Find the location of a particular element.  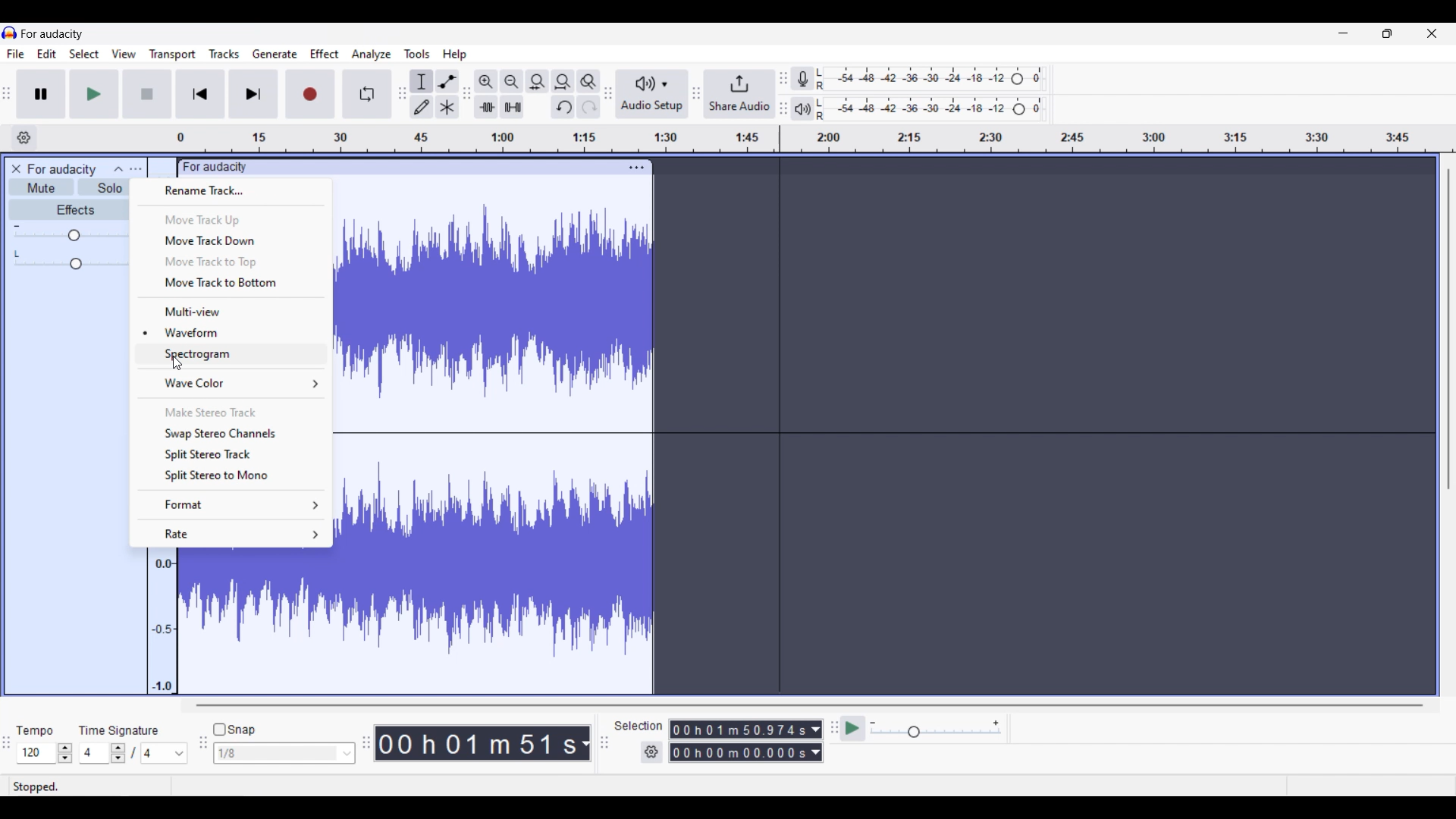

Draw tool is located at coordinates (422, 107).